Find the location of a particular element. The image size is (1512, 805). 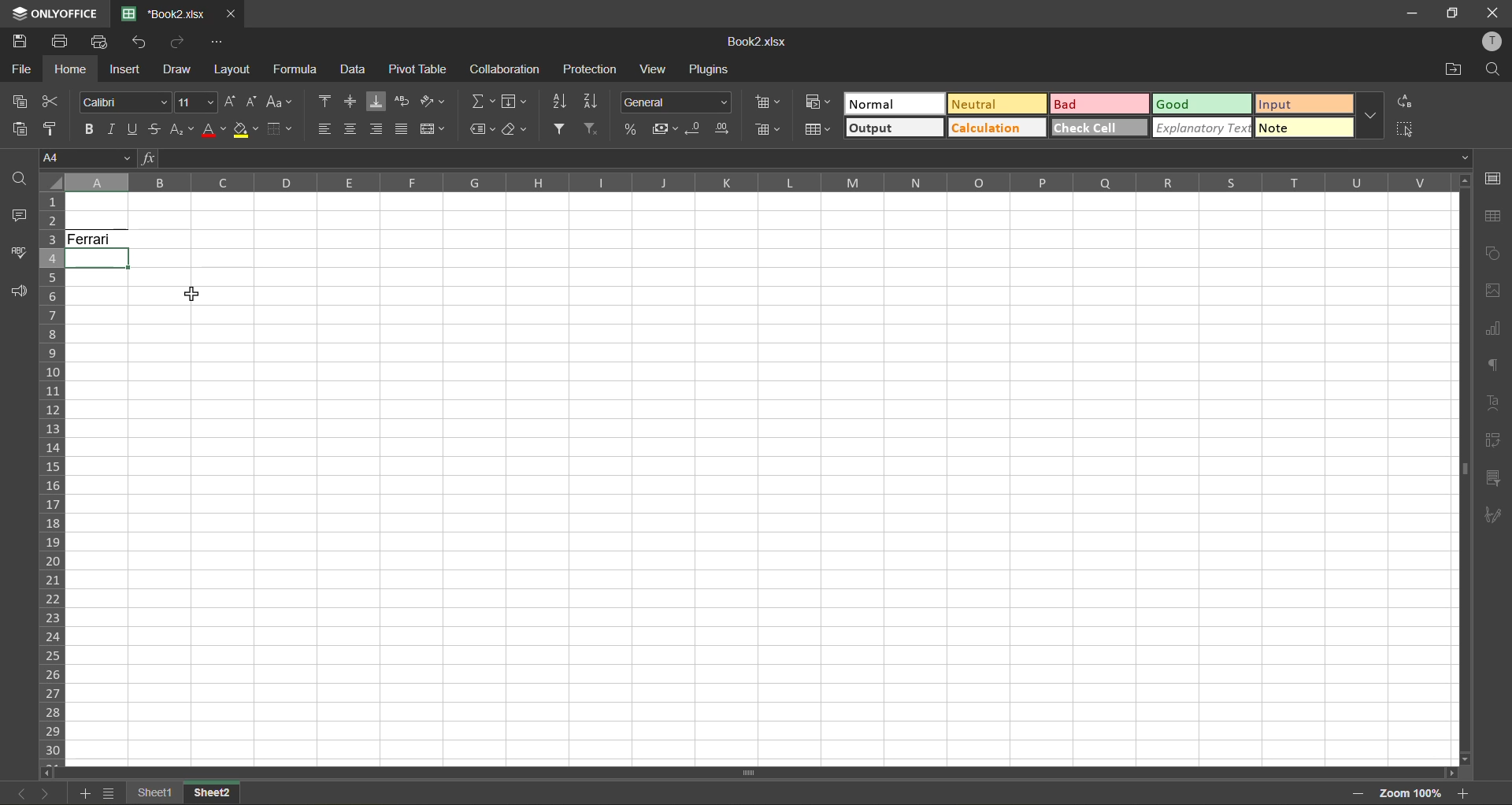

next is located at coordinates (50, 794).